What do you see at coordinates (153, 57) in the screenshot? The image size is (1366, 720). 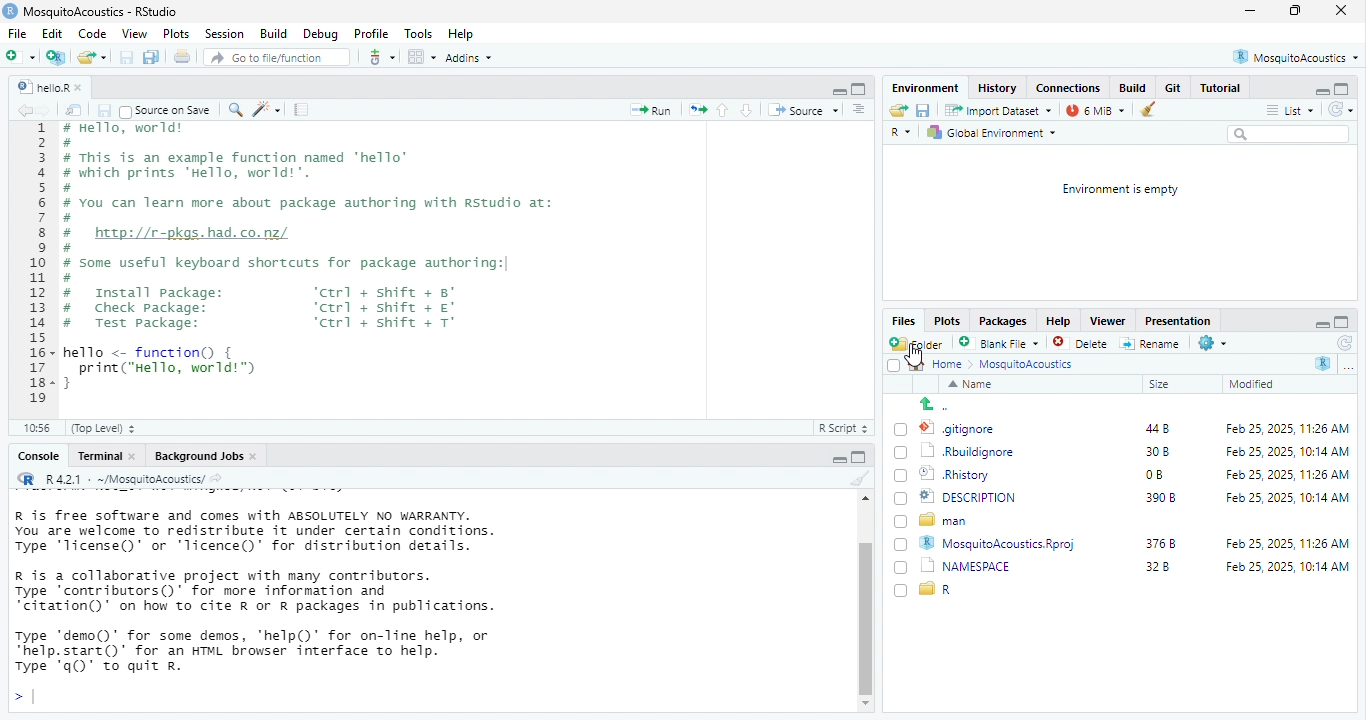 I see `save all open document` at bounding box center [153, 57].